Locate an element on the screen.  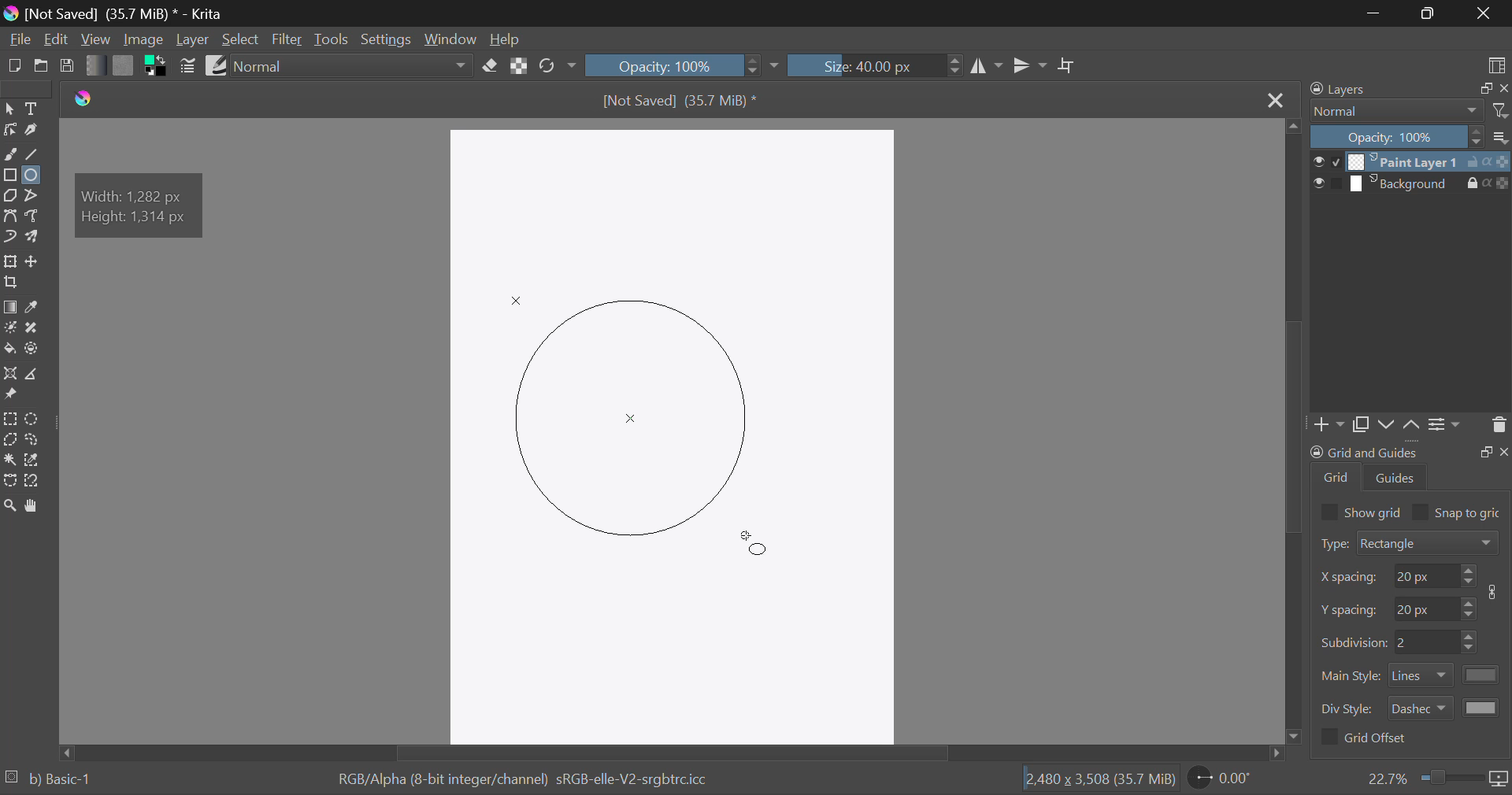
MOUSE_UP Cursor Position is located at coordinates (762, 549).